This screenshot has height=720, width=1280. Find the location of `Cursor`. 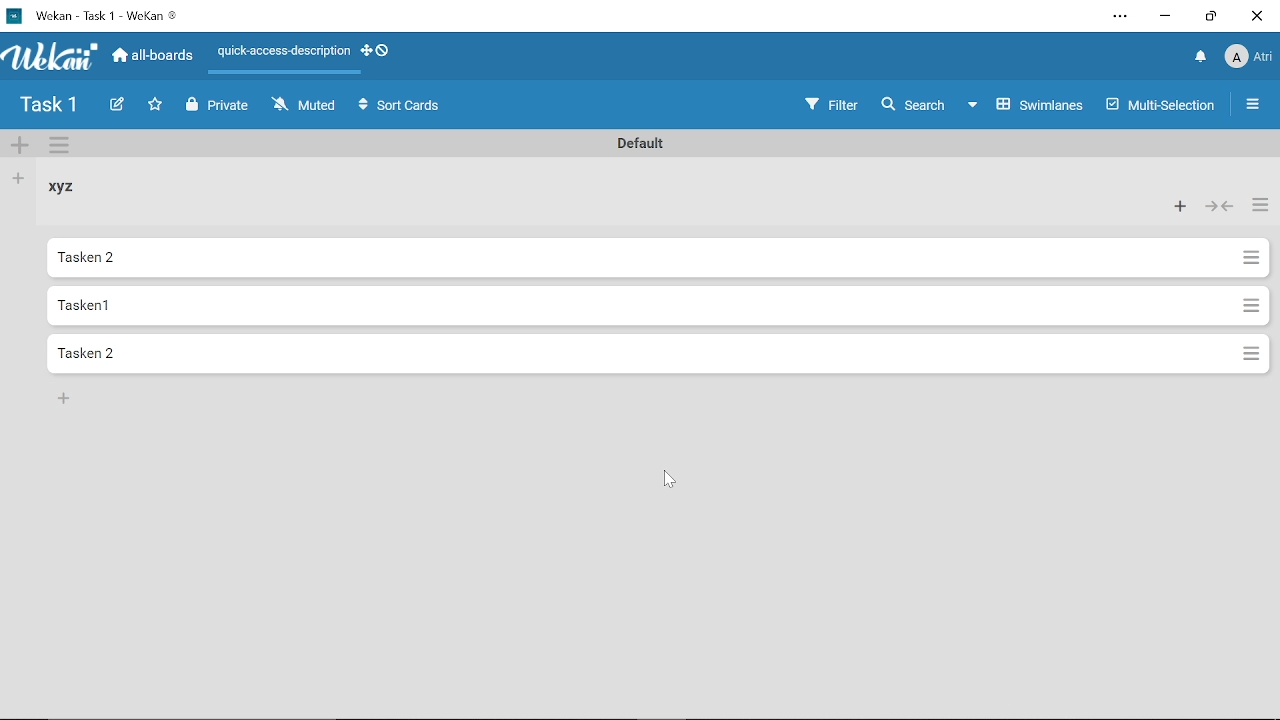

Cursor is located at coordinates (667, 479).